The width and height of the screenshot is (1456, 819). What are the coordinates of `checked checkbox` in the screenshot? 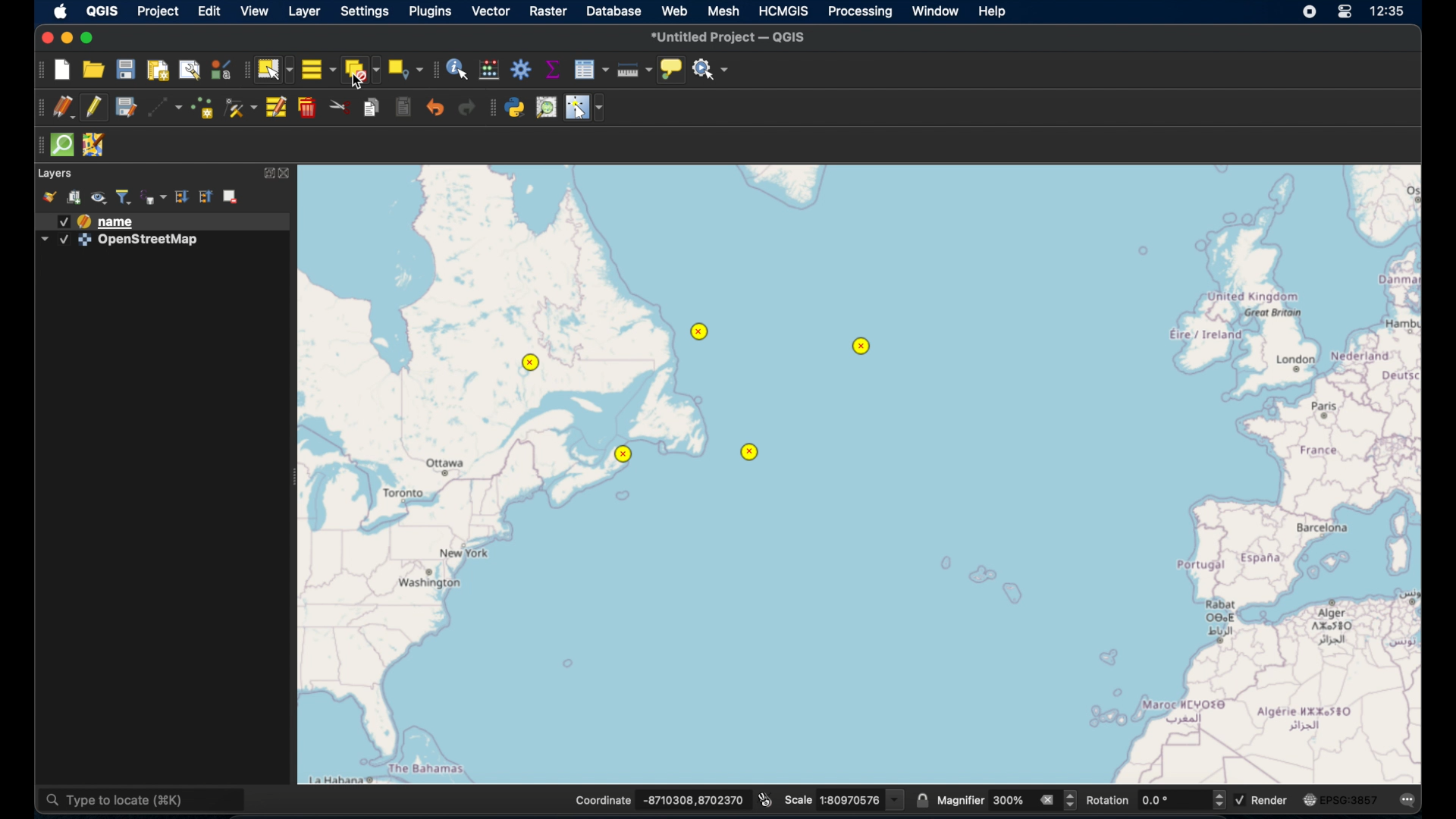 It's located at (63, 240).